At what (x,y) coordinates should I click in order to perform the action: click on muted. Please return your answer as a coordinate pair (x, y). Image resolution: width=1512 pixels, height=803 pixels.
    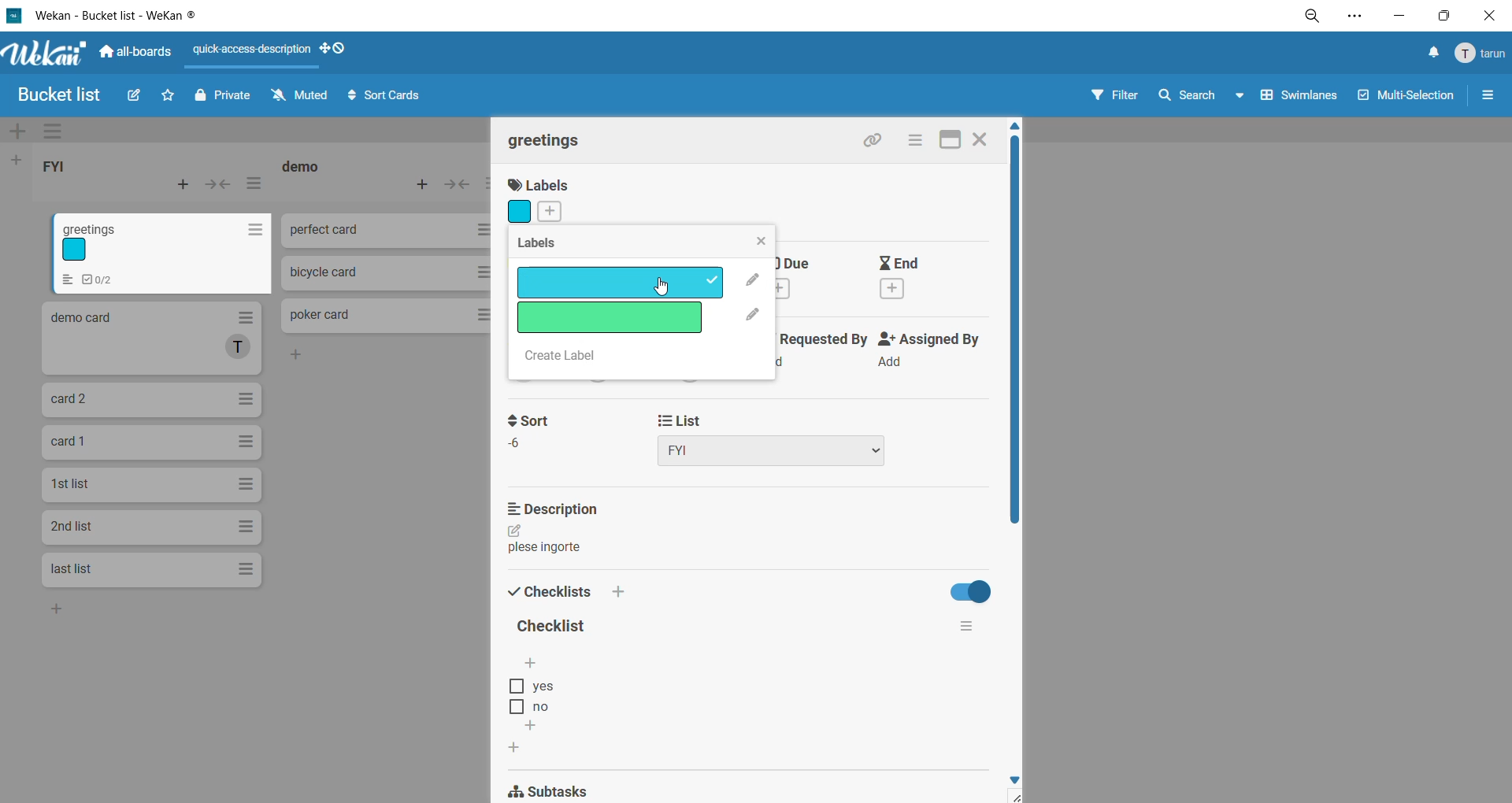
    Looking at the image, I should click on (300, 94).